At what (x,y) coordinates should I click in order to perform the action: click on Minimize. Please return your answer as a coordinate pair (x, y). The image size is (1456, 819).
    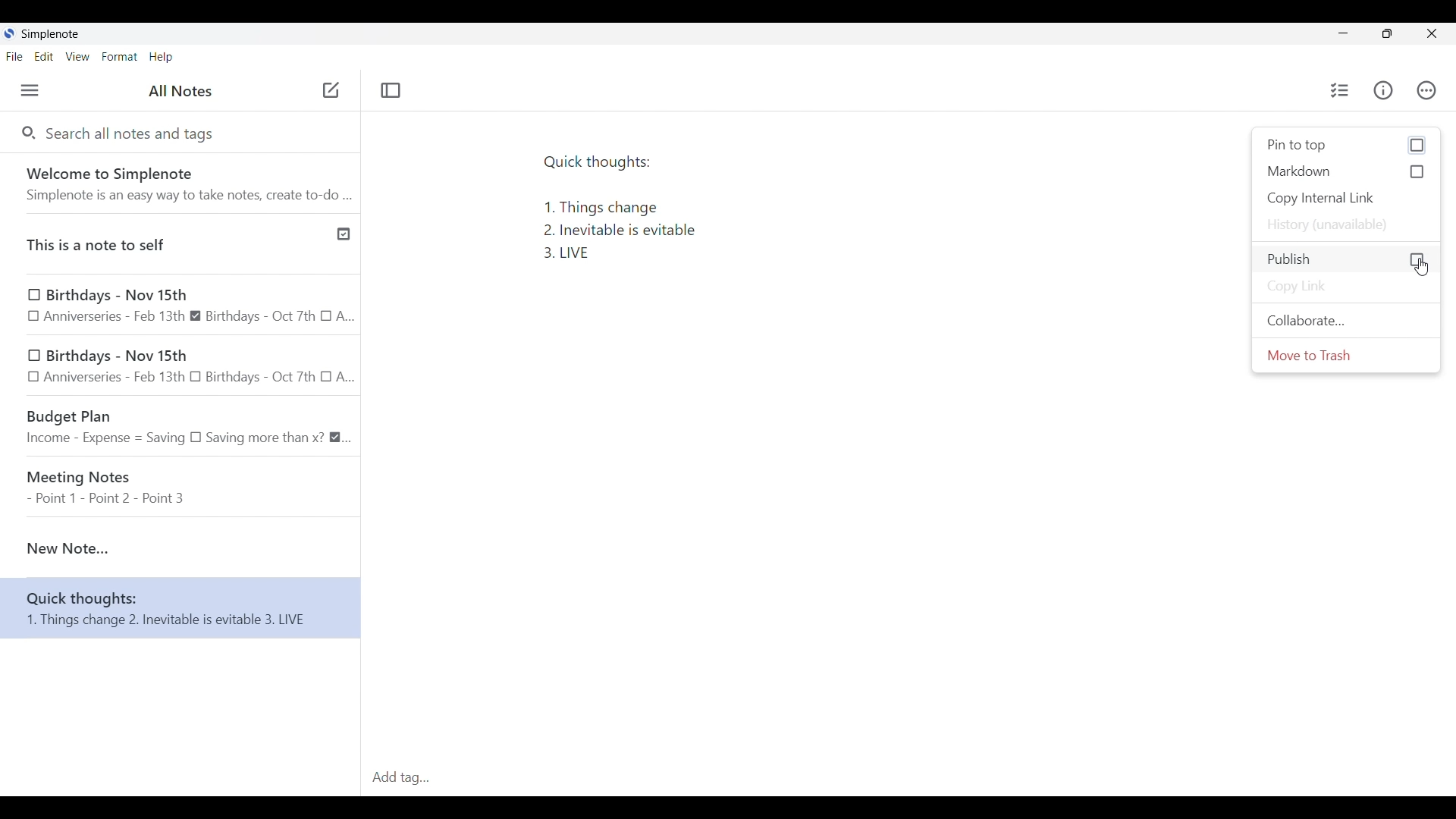
    Looking at the image, I should click on (1343, 33).